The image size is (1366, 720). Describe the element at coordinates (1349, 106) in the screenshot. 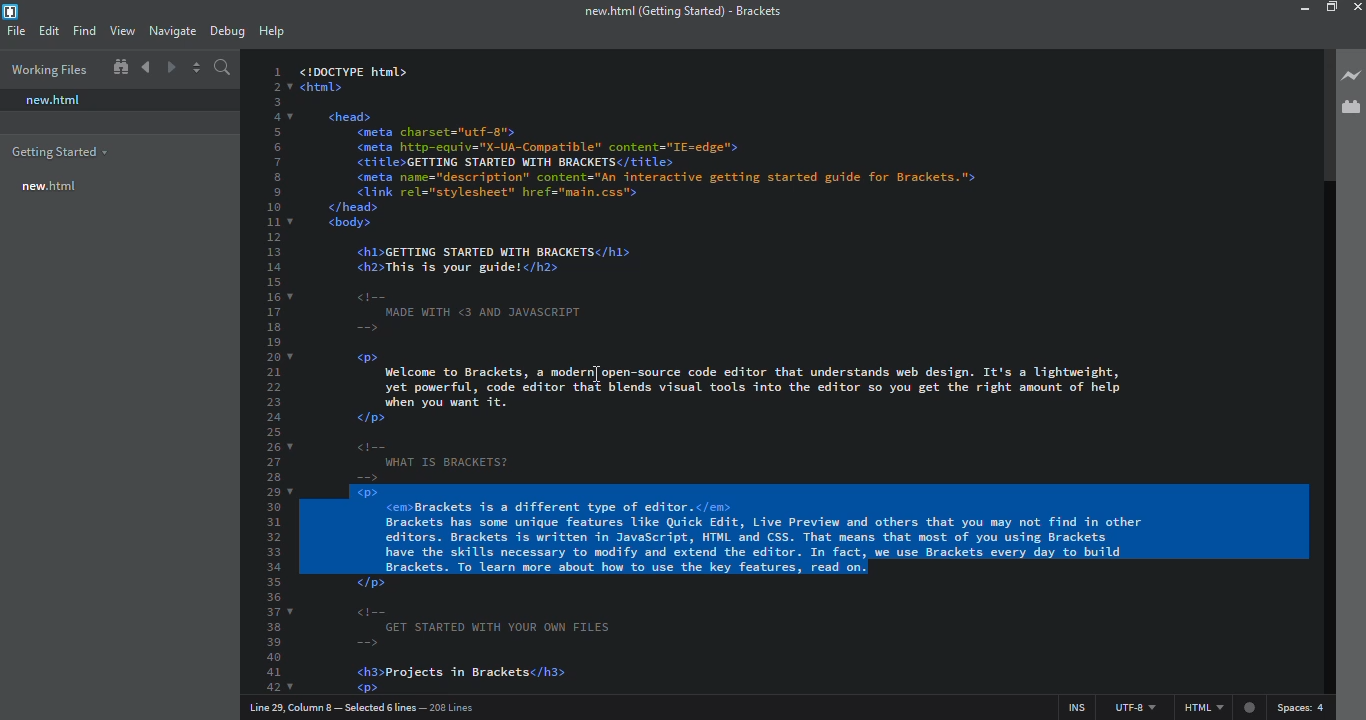

I see `extension manager` at that location.